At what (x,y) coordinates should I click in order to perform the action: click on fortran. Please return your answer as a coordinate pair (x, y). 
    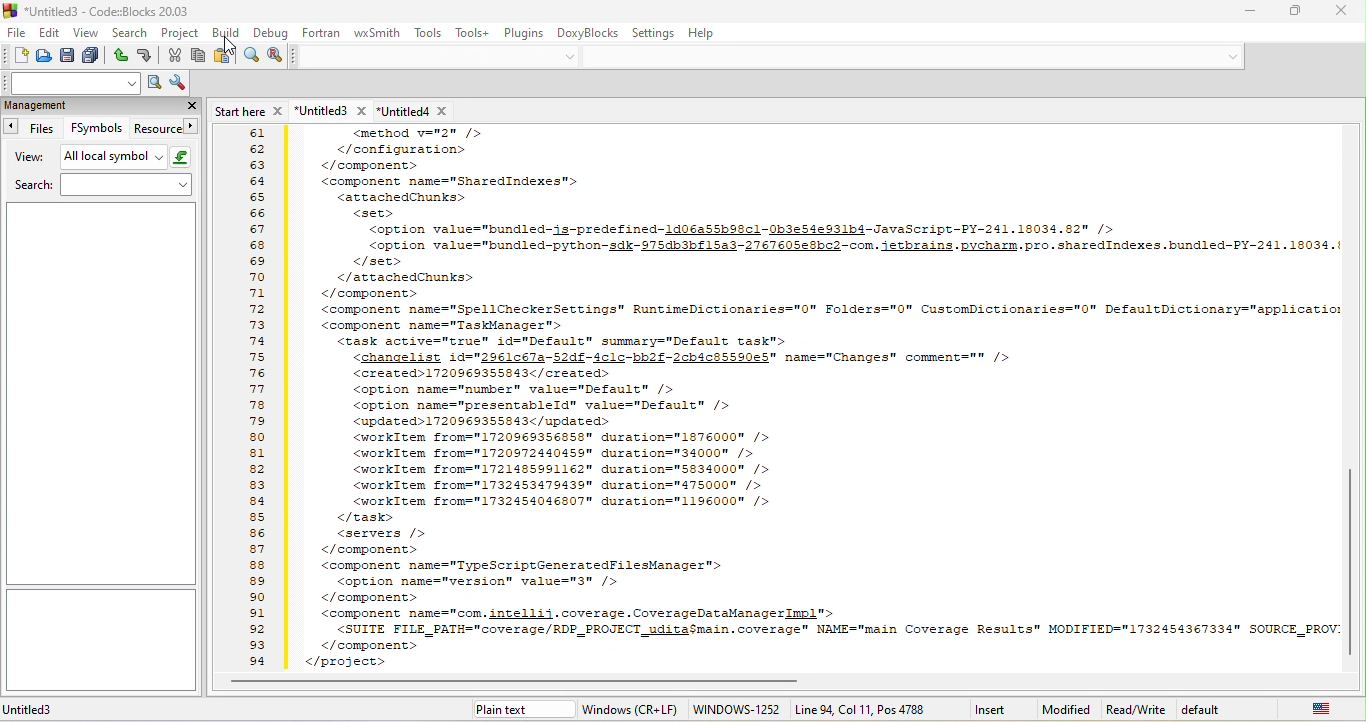
    Looking at the image, I should click on (324, 34).